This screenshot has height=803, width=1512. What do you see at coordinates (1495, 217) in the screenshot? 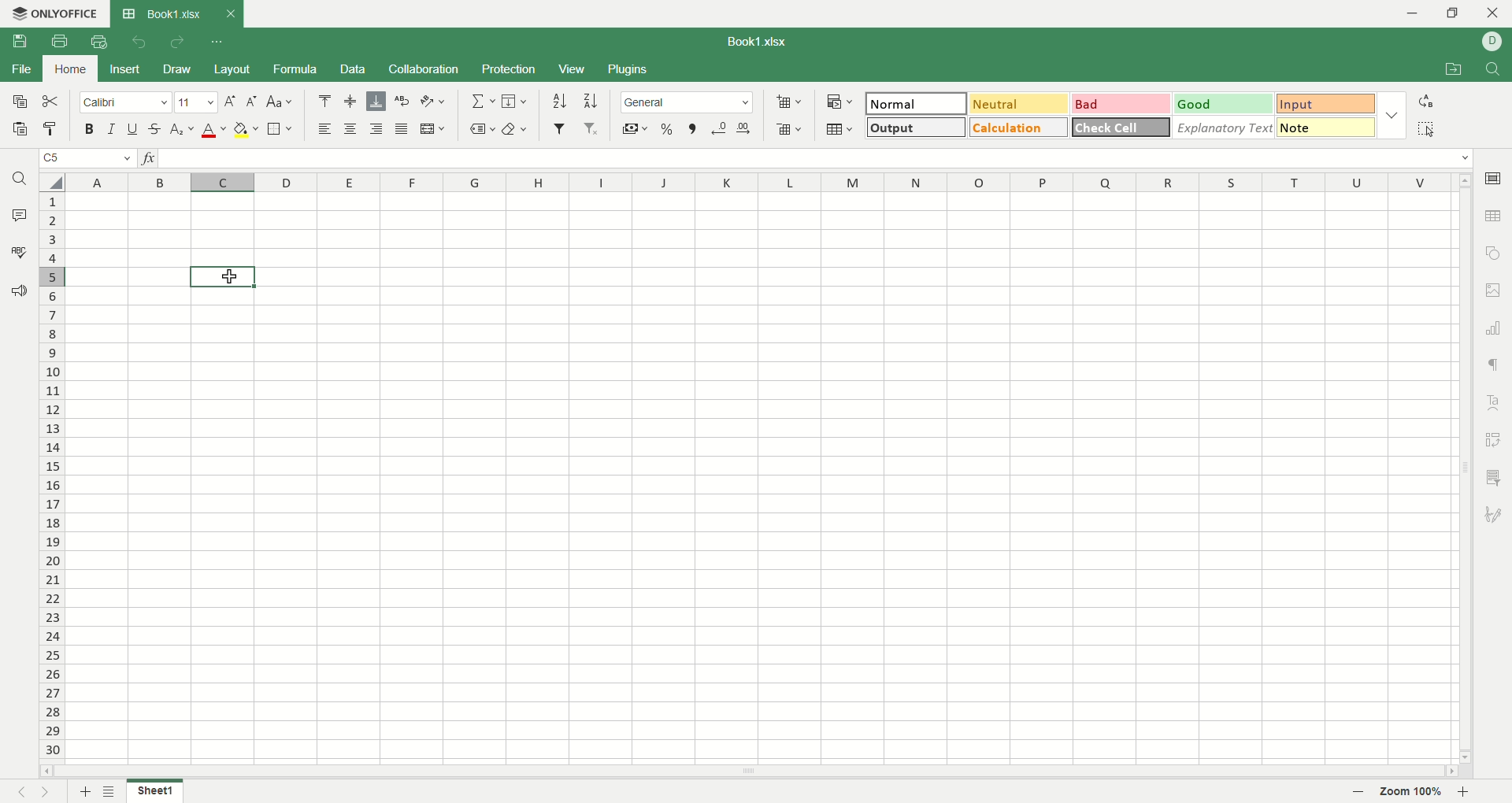
I see `table settings` at bounding box center [1495, 217].